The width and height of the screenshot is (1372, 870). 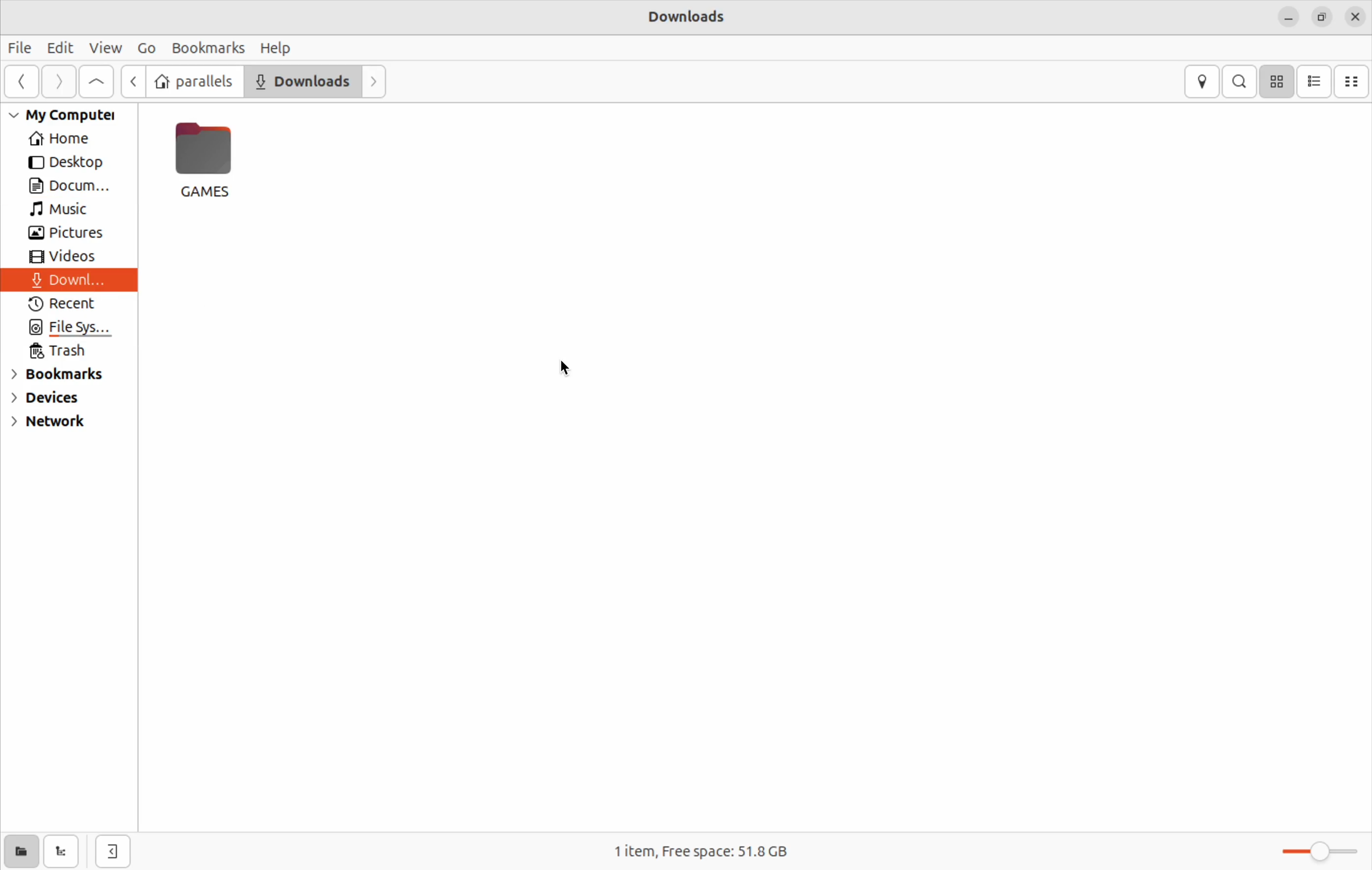 I want to click on Go up, so click(x=97, y=81).